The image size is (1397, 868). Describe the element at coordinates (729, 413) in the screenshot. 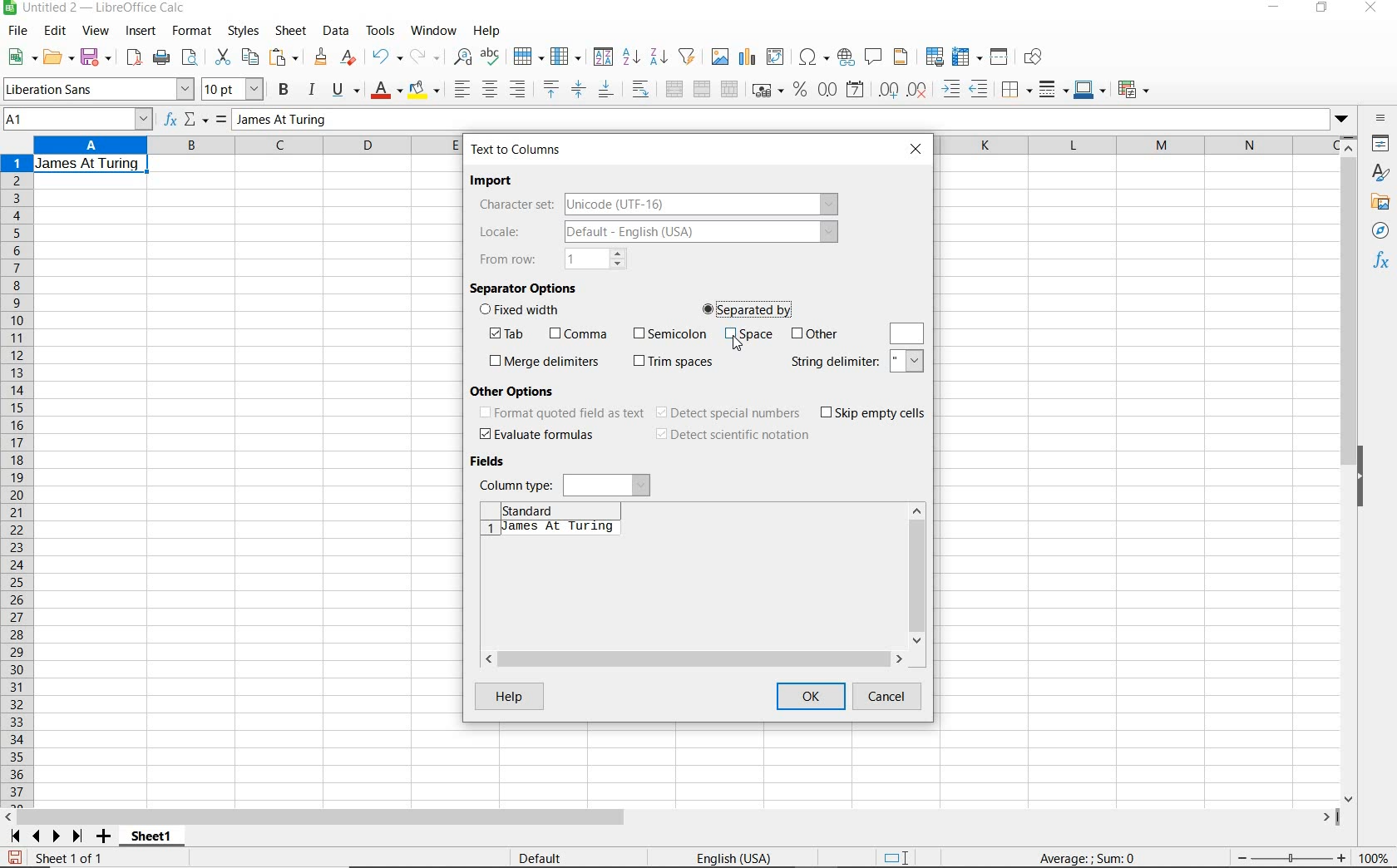

I see `detect special numbers` at that location.